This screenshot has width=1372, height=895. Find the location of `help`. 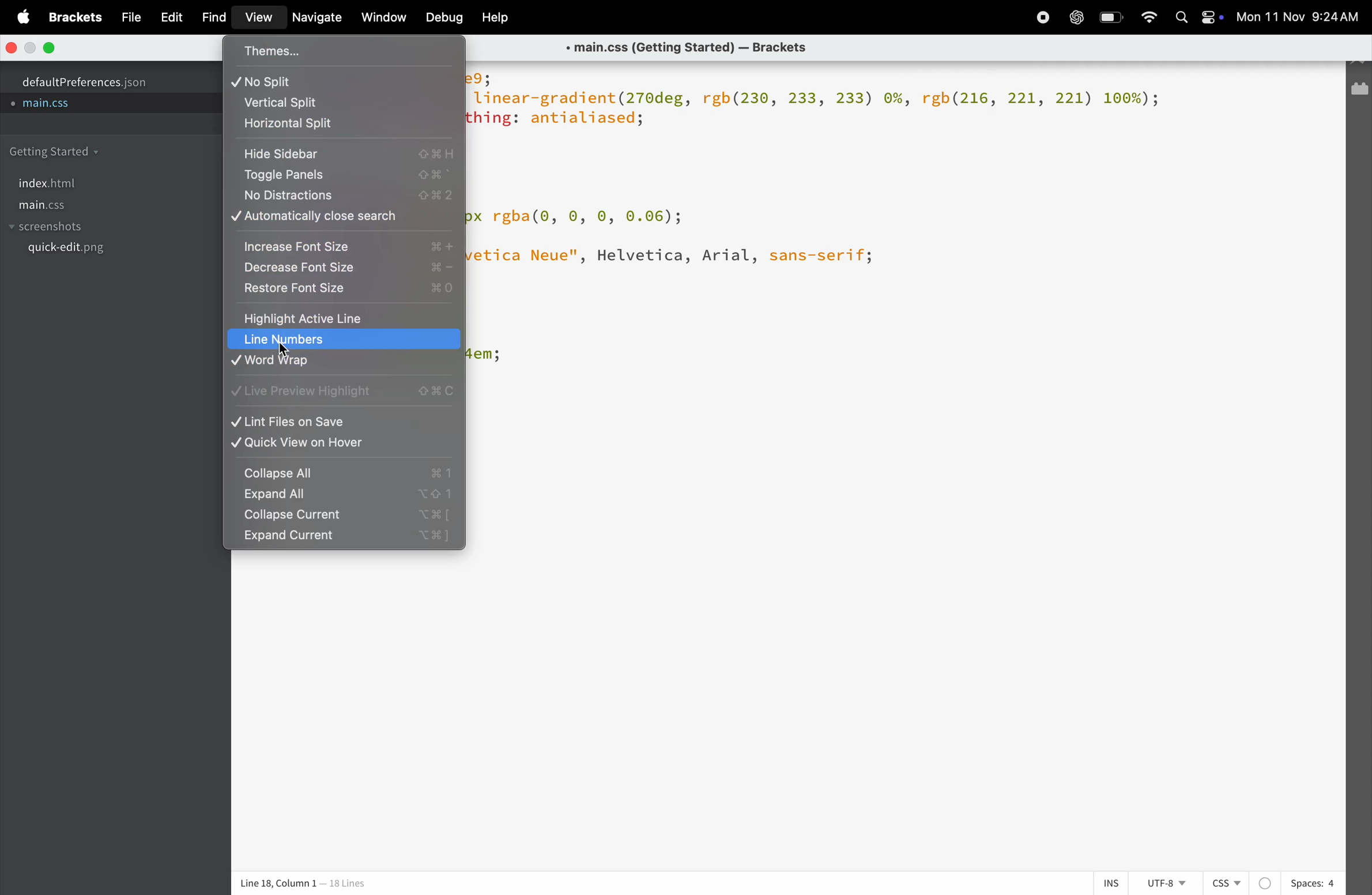

help is located at coordinates (496, 17).